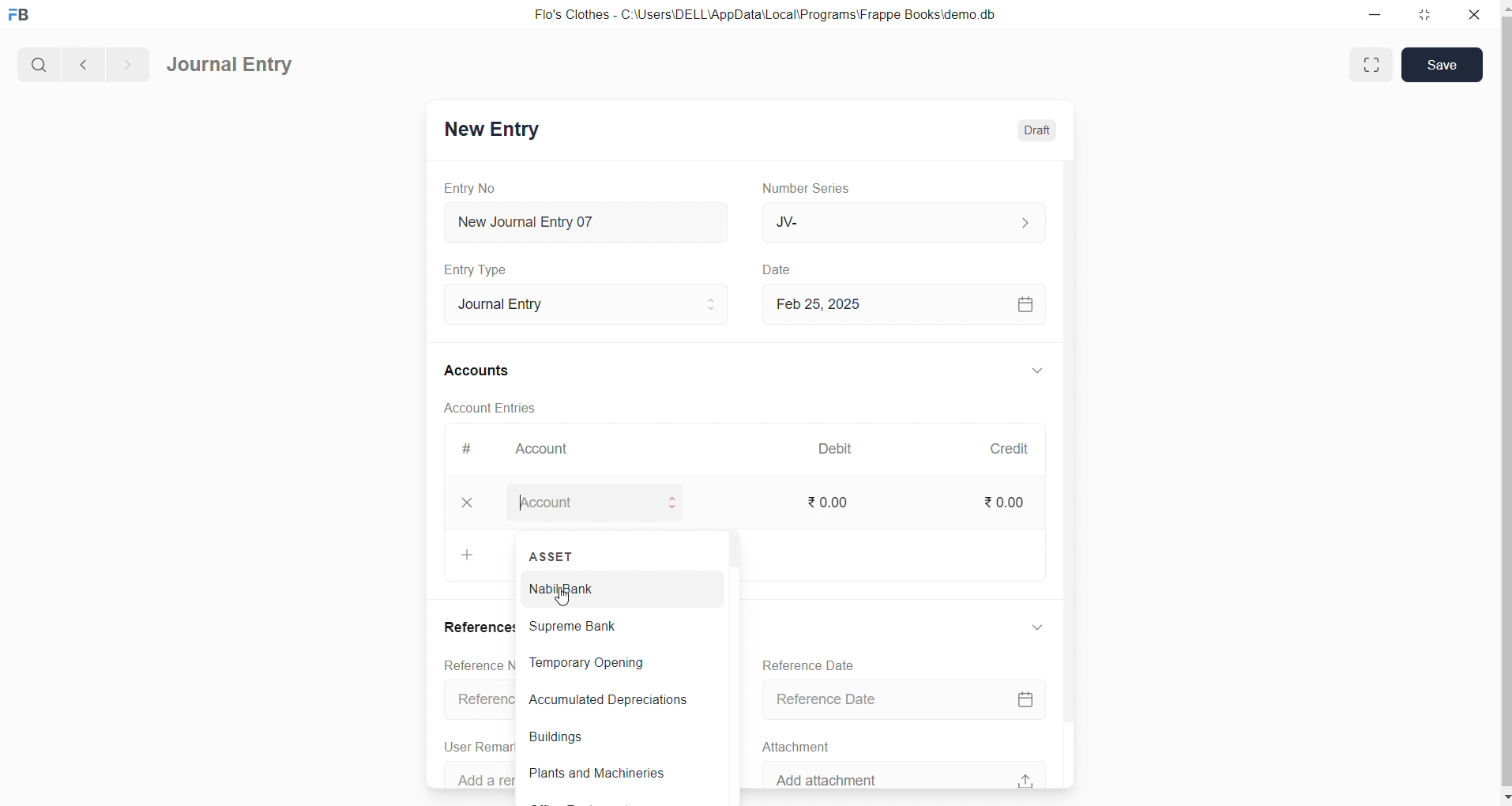  Describe the element at coordinates (785, 269) in the screenshot. I see `Date` at that location.